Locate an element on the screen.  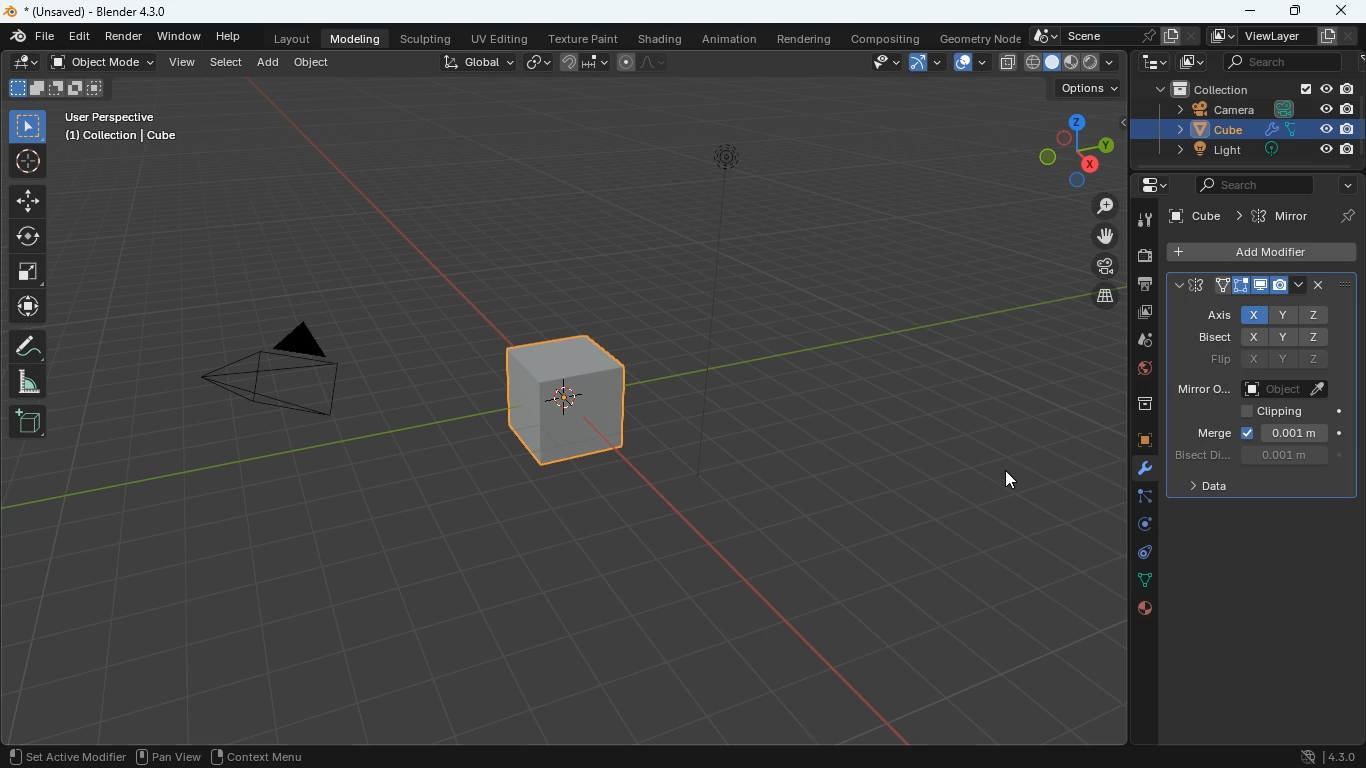
xyz is located at coordinates (1285, 338).